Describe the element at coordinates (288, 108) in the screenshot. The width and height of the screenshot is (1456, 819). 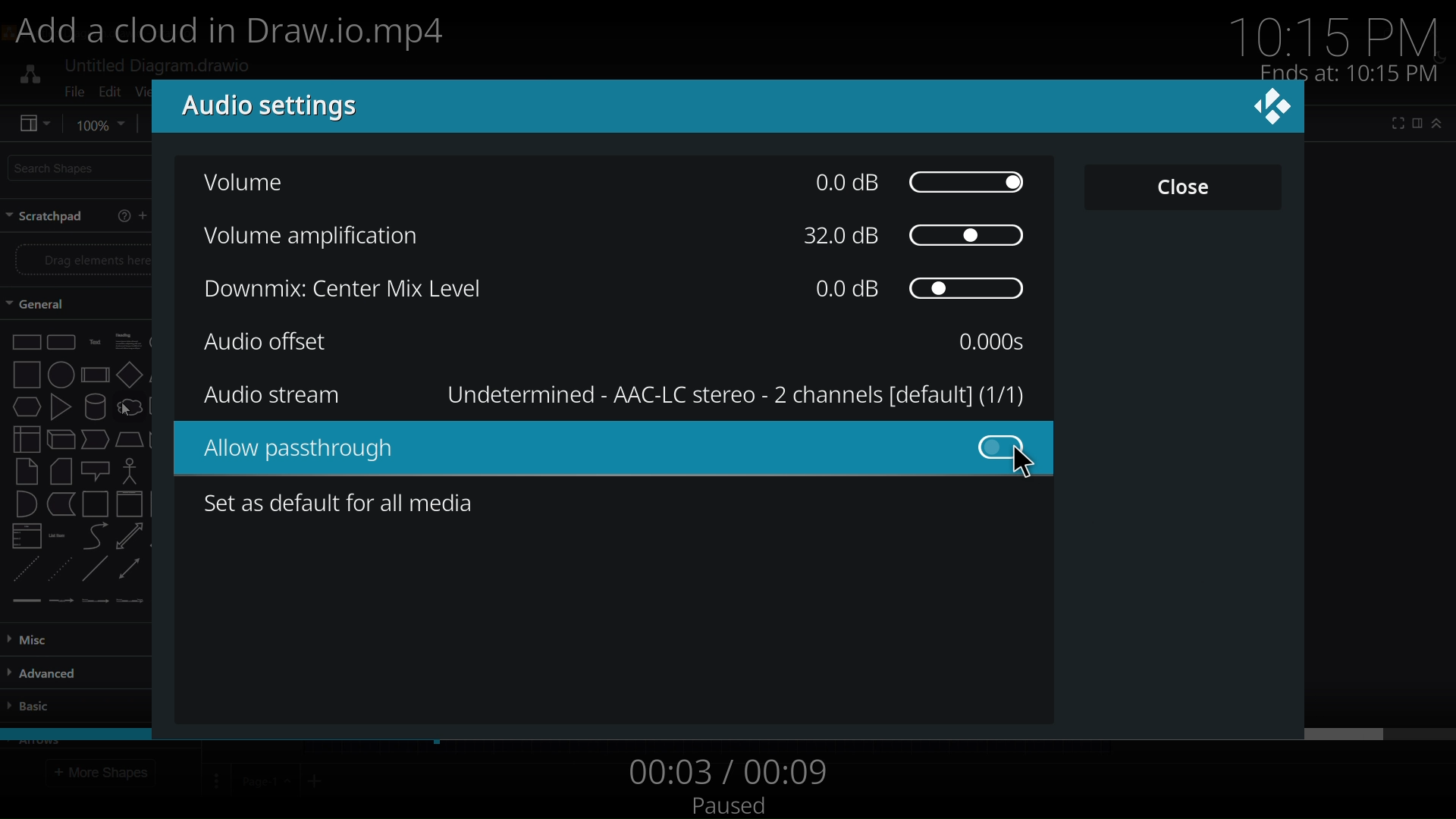
I see `audio setting` at that location.